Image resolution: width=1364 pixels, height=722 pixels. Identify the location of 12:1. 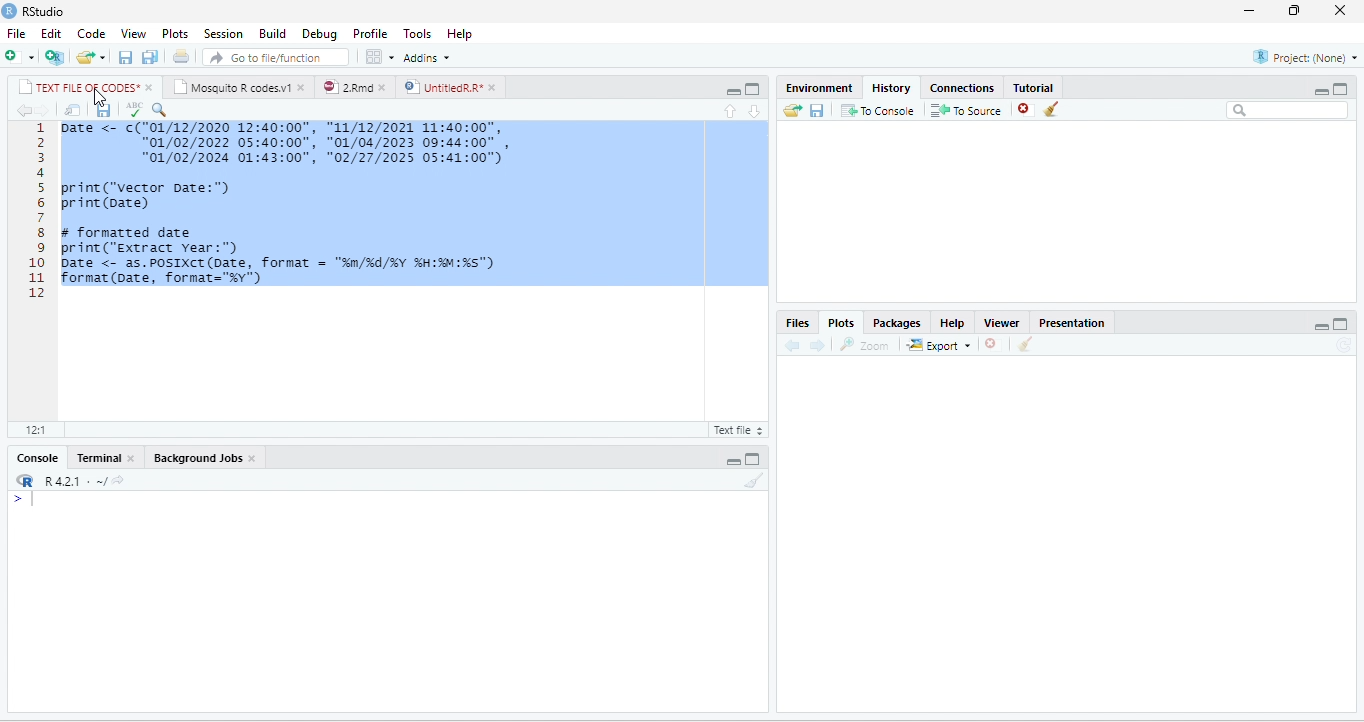
(35, 430).